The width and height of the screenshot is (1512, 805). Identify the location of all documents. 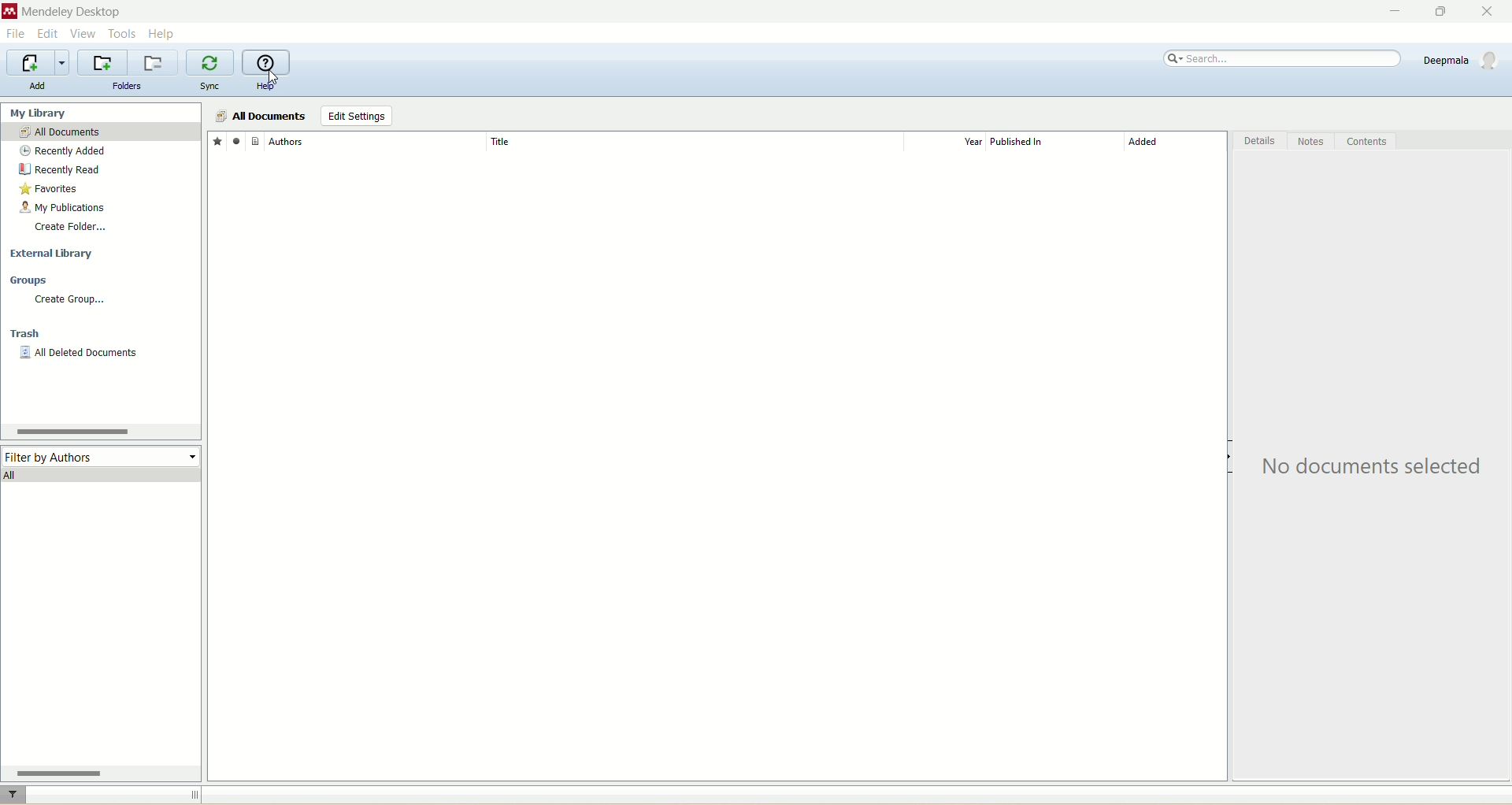
(261, 117).